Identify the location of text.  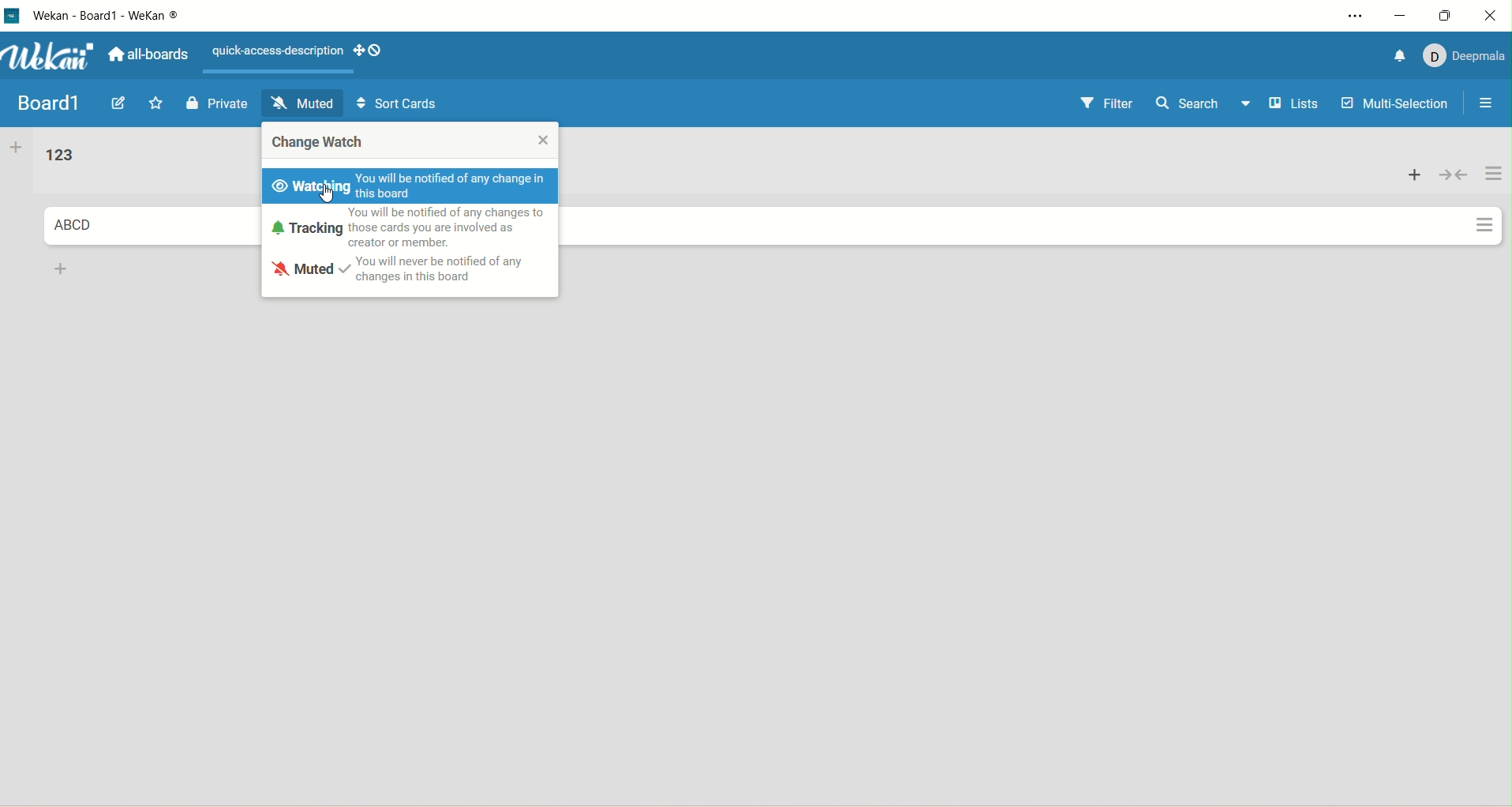
(274, 52).